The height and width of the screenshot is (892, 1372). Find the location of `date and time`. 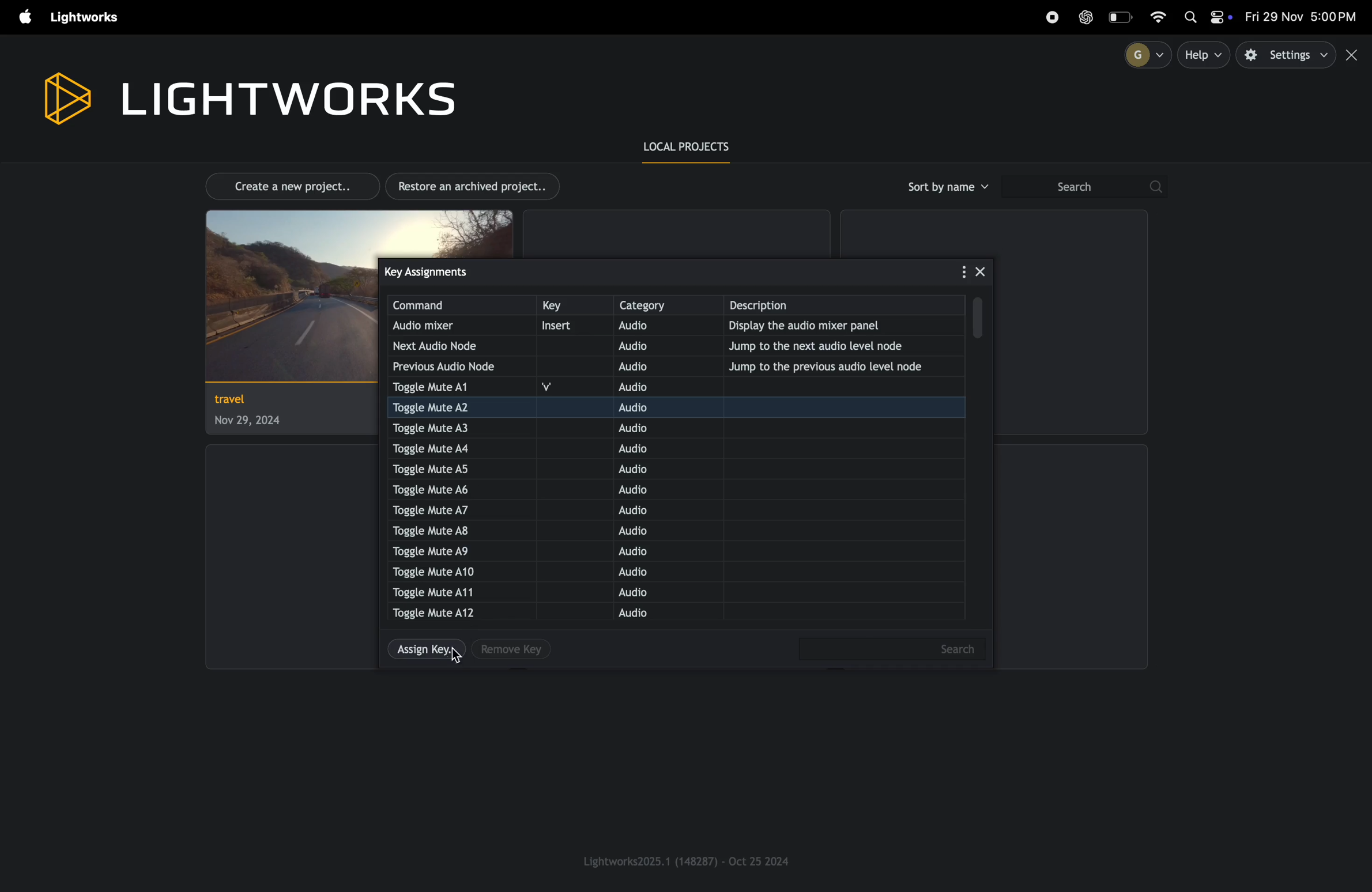

date and time is located at coordinates (1303, 17).